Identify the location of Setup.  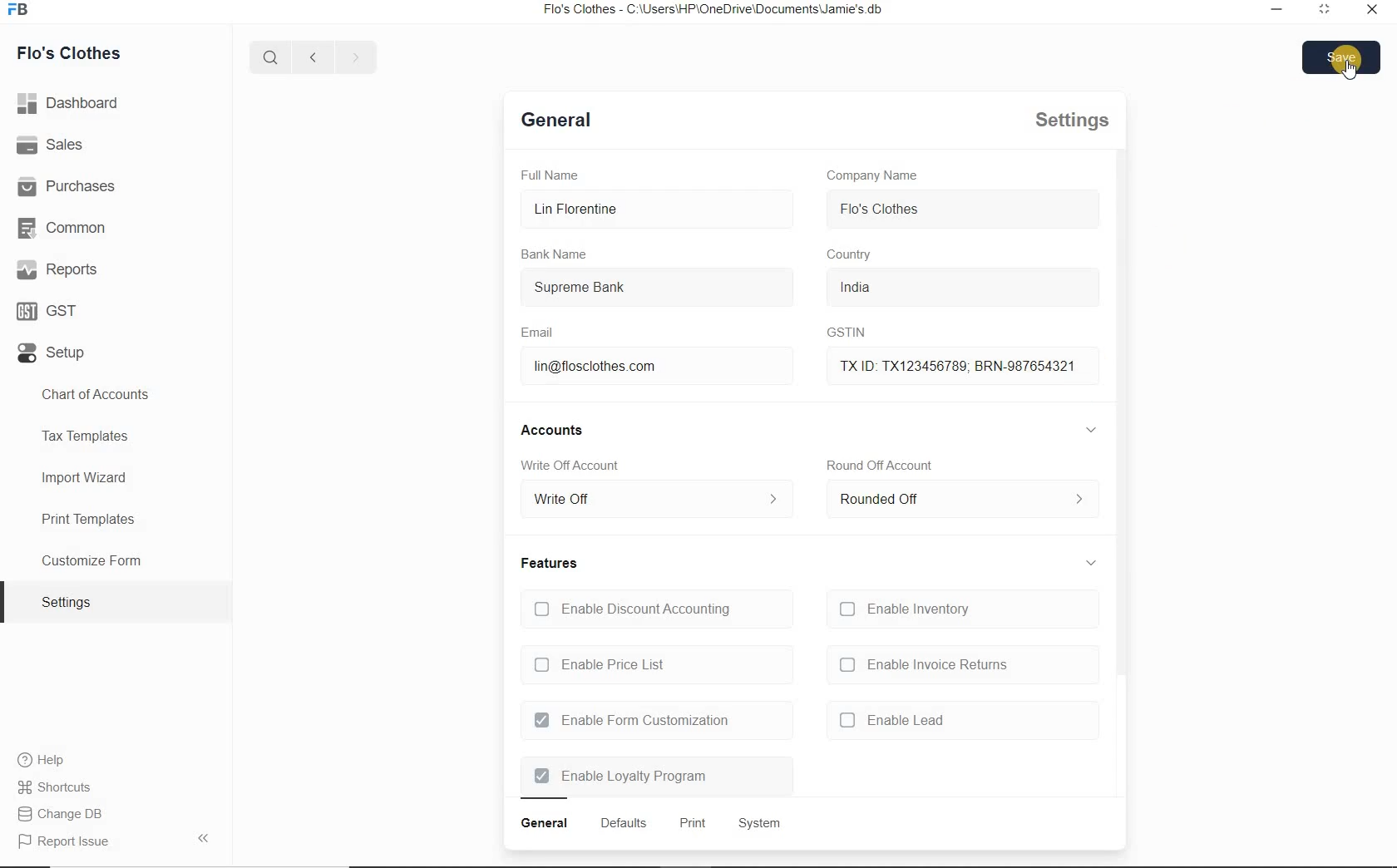
(55, 351).